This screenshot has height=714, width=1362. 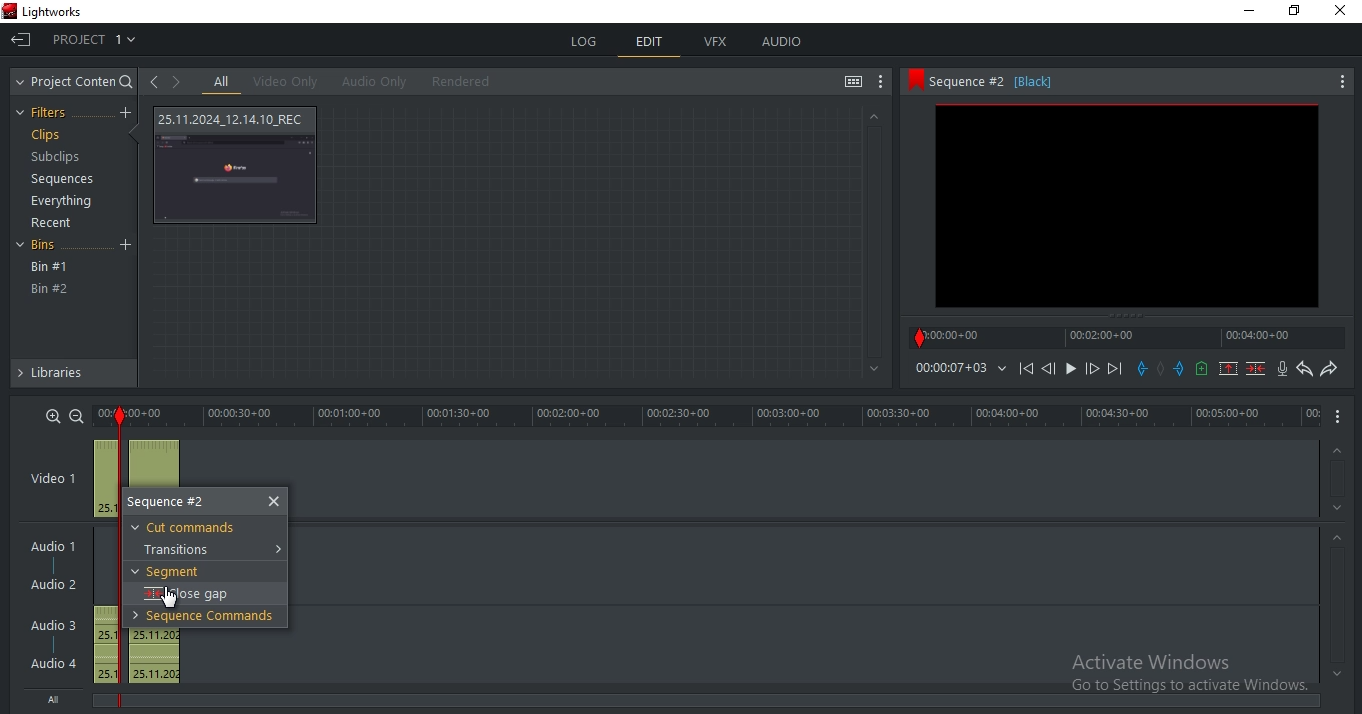 I want to click on video, so click(x=137, y=459).